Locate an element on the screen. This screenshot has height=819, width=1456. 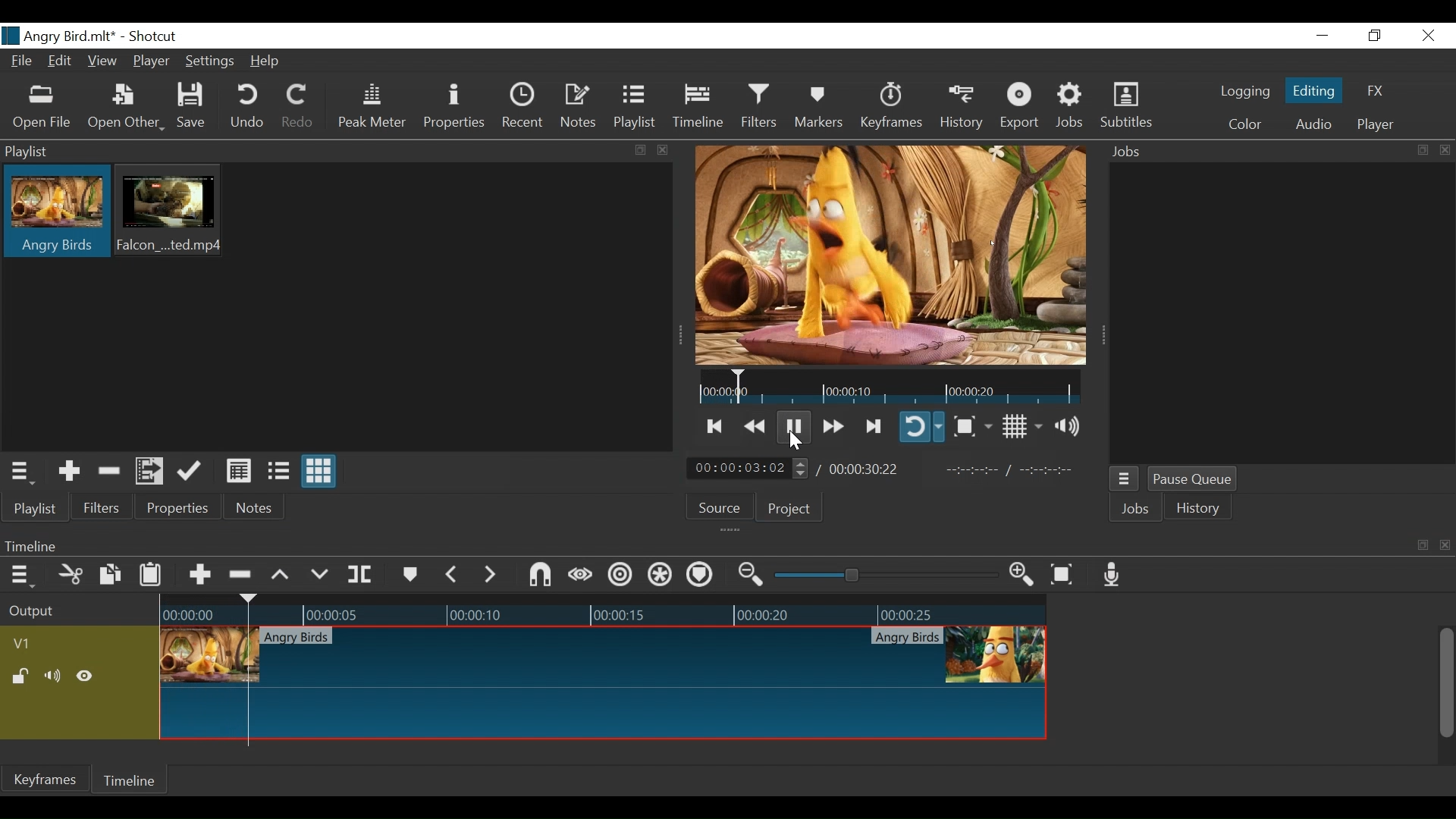
Zoom timeline out is located at coordinates (748, 576).